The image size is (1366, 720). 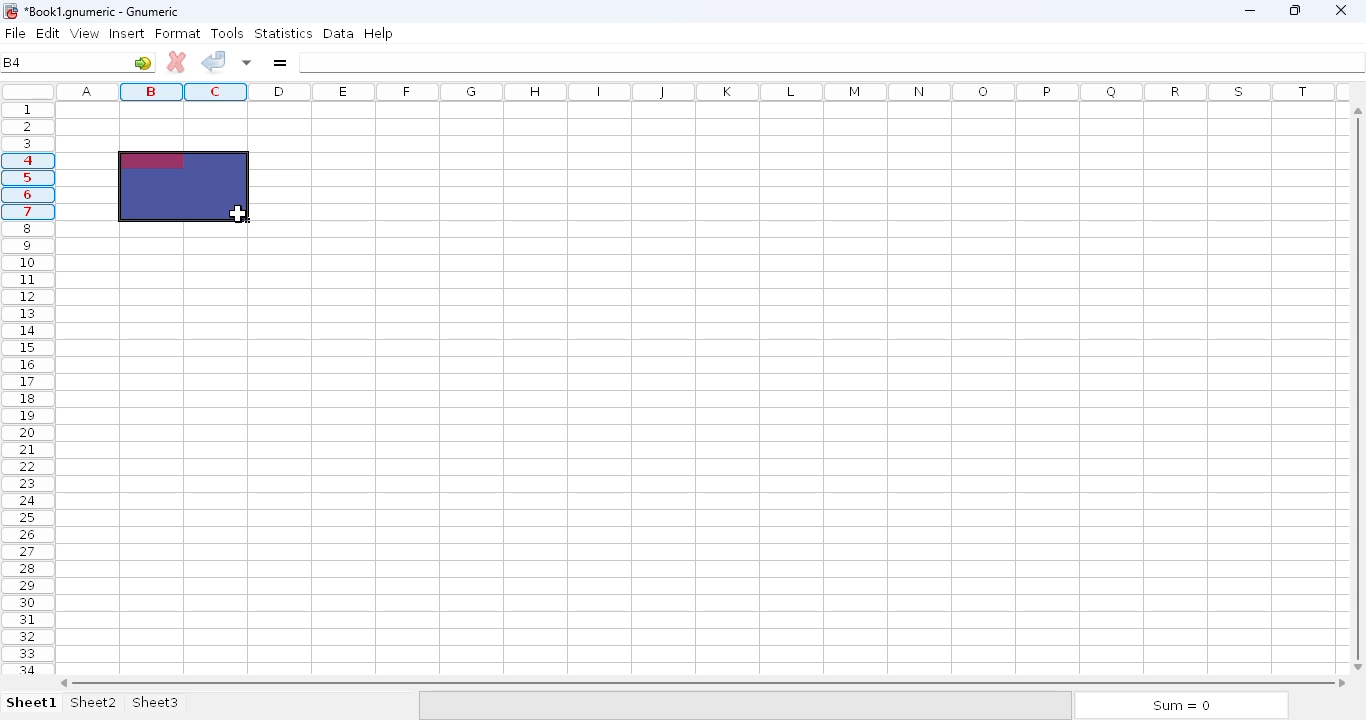 I want to click on cancel change, so click(x=176, y=62).